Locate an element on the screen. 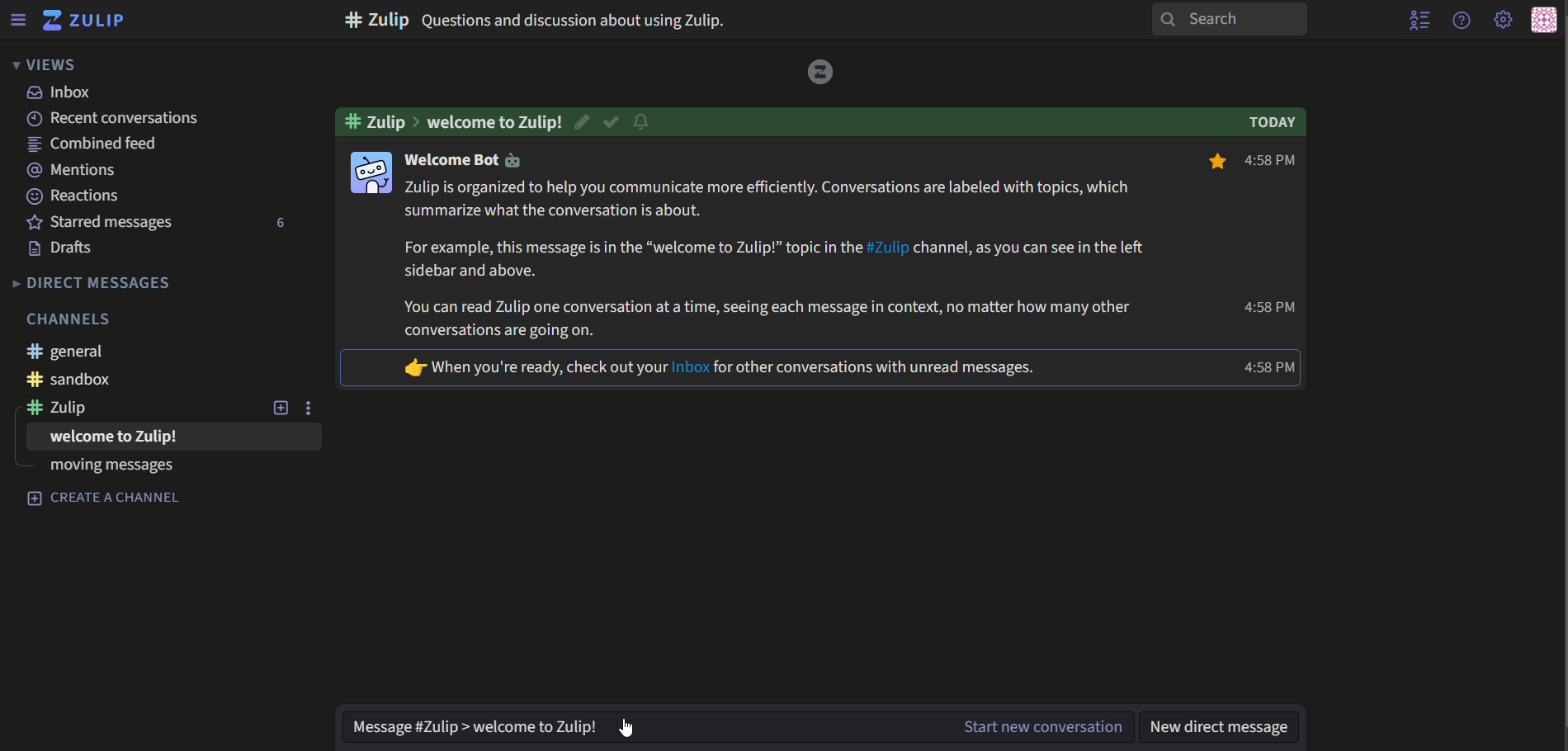  notification is located at coordinates (641, 124).